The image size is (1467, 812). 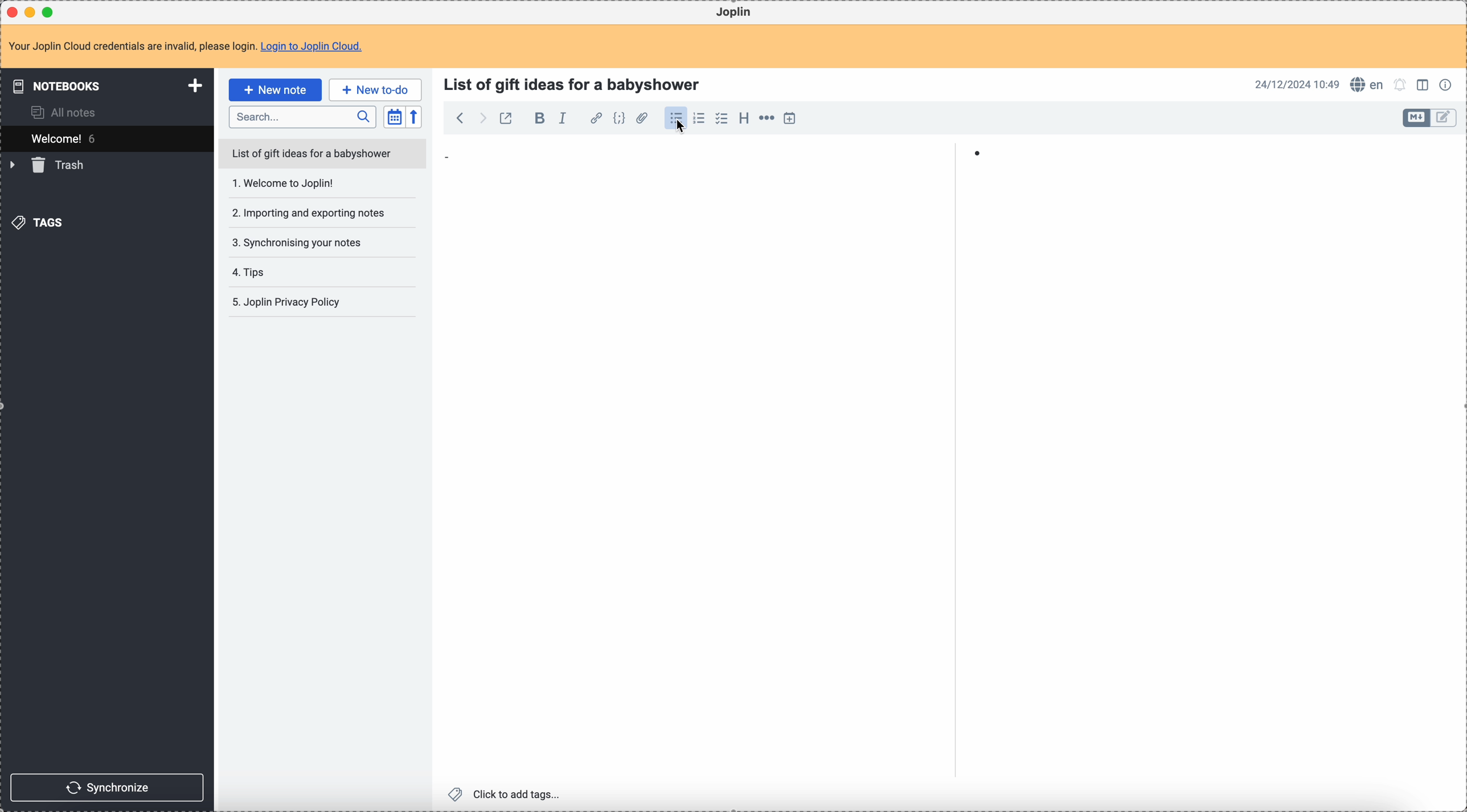 I want to click on click on bulleted list, so click(x=679, y=119).